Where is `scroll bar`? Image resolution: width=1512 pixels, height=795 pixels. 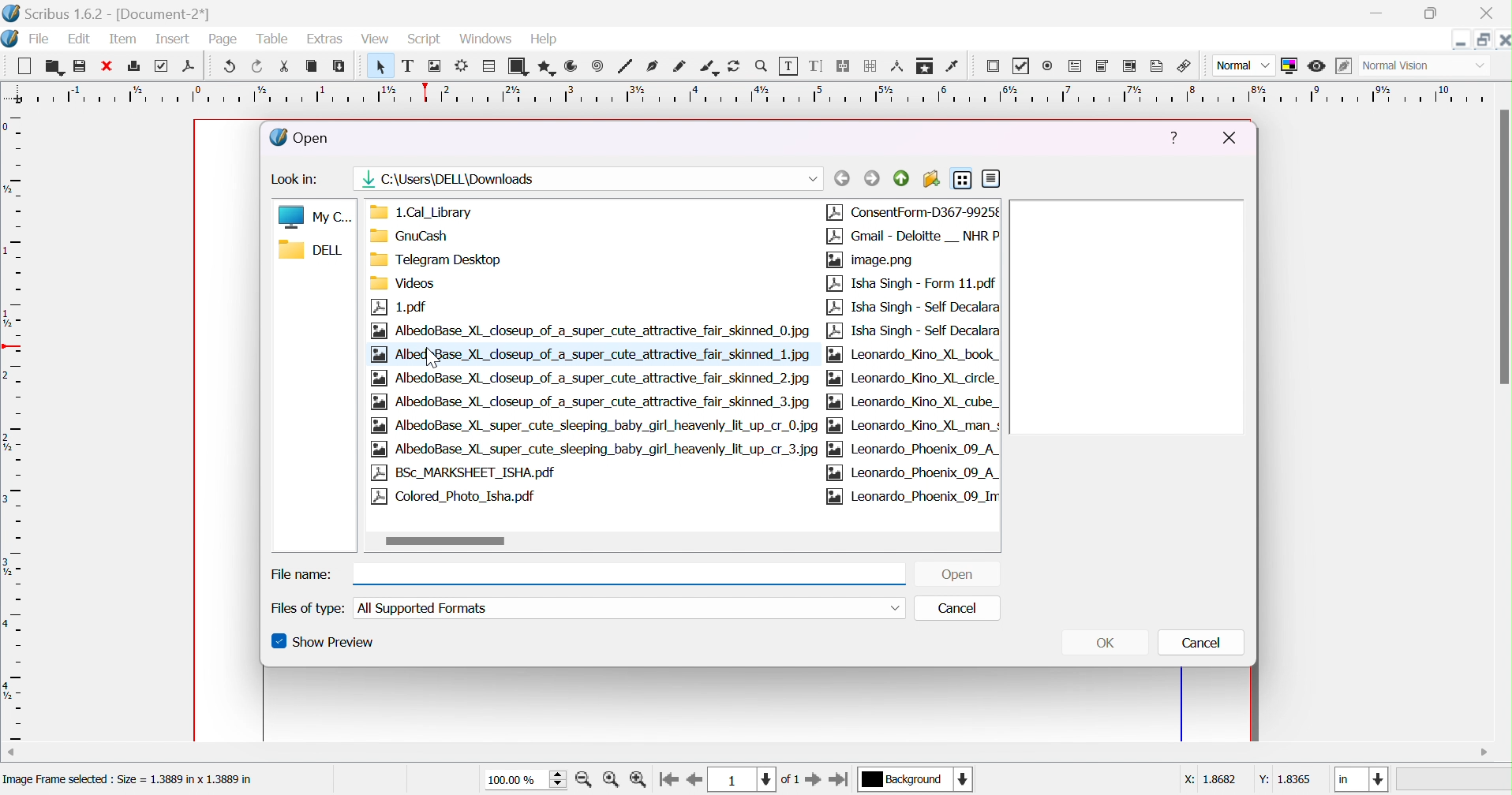 scroll bar is located at coordinates (1503, 247).